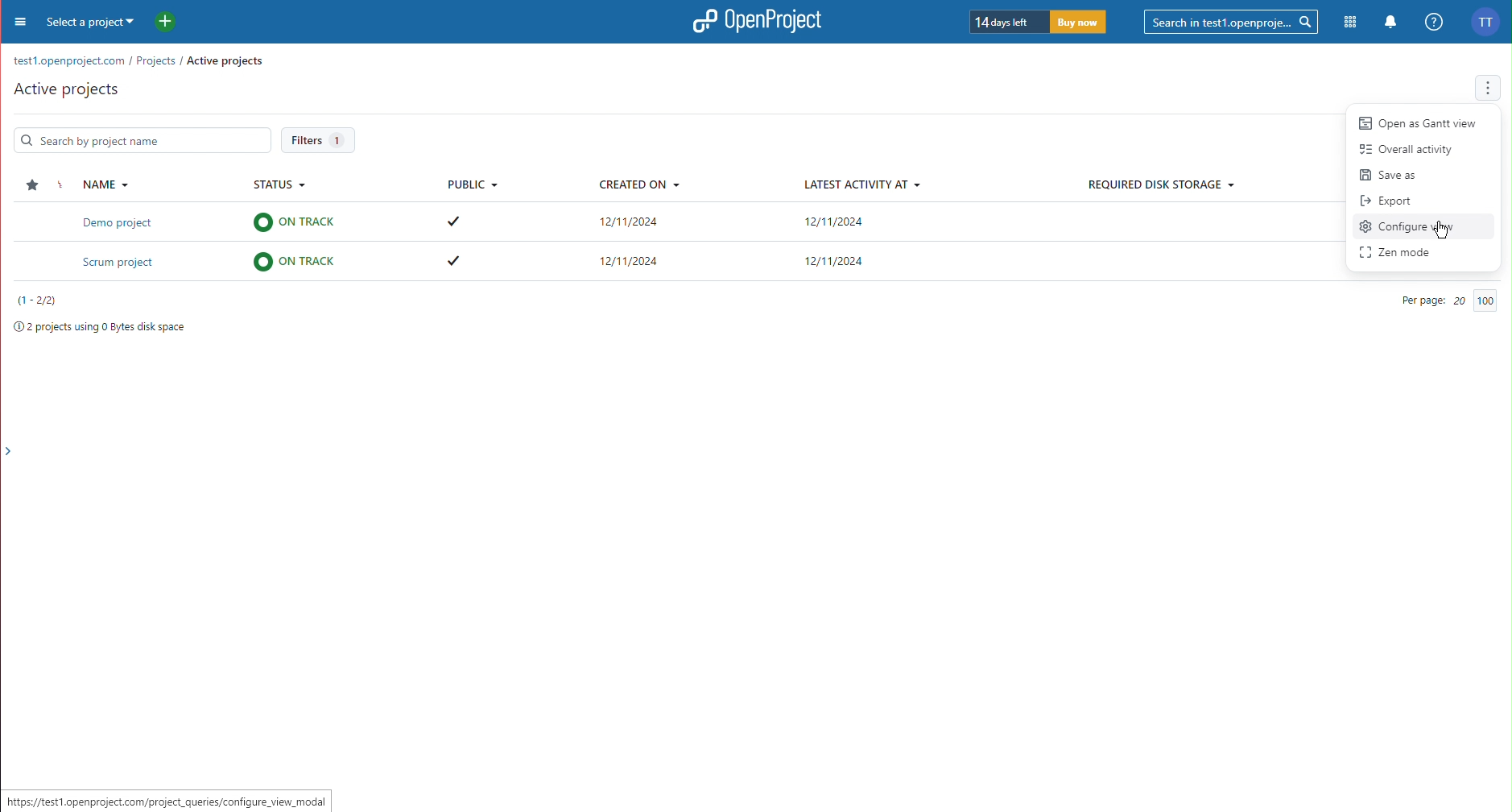  Describe the element at coordinates (1489, 88) in the screenshot. I see `More` at that location.